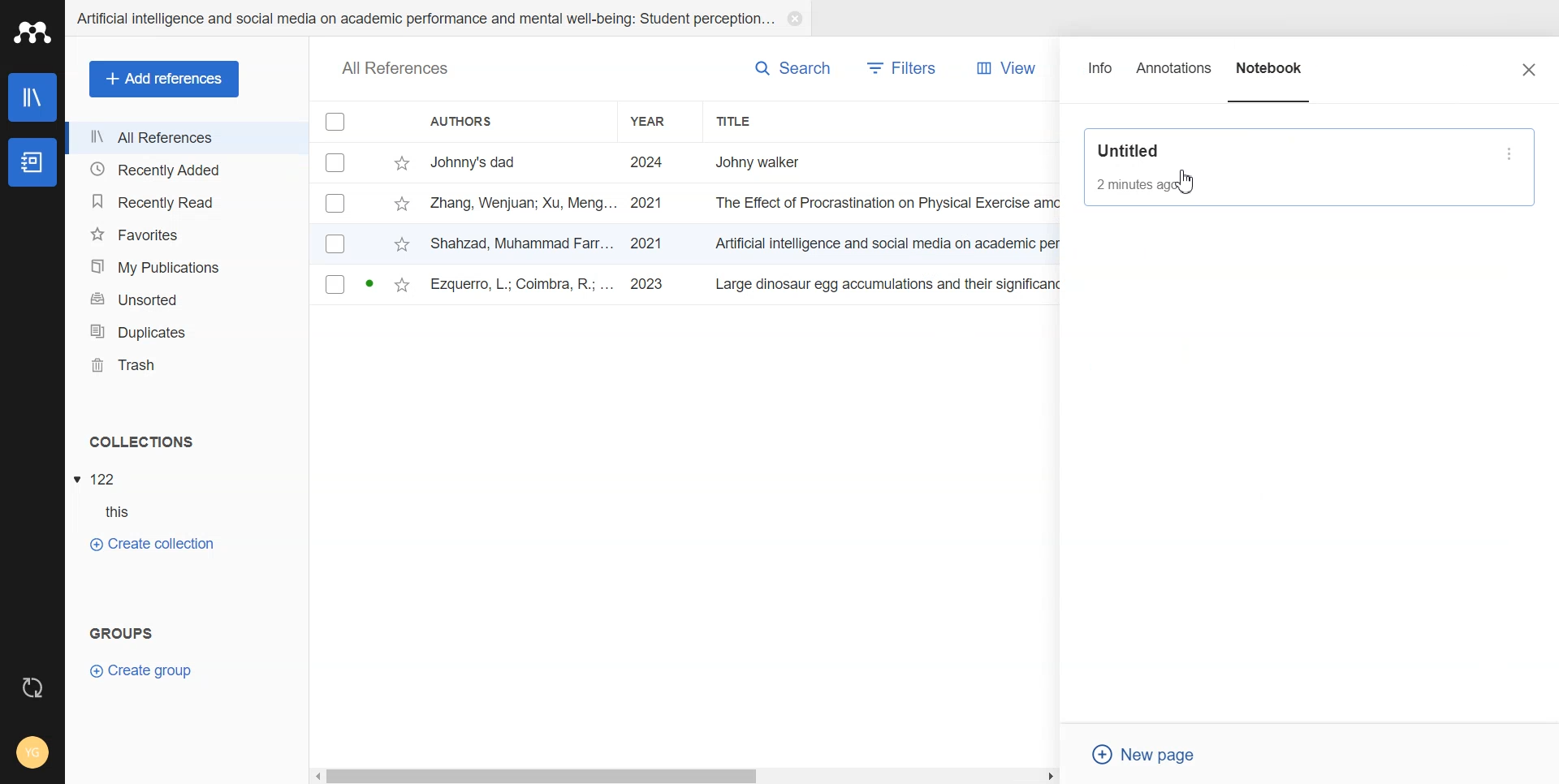  Describe the element at coordinates (151, 543) in the screenshot. I see `Create Collection` at that location.